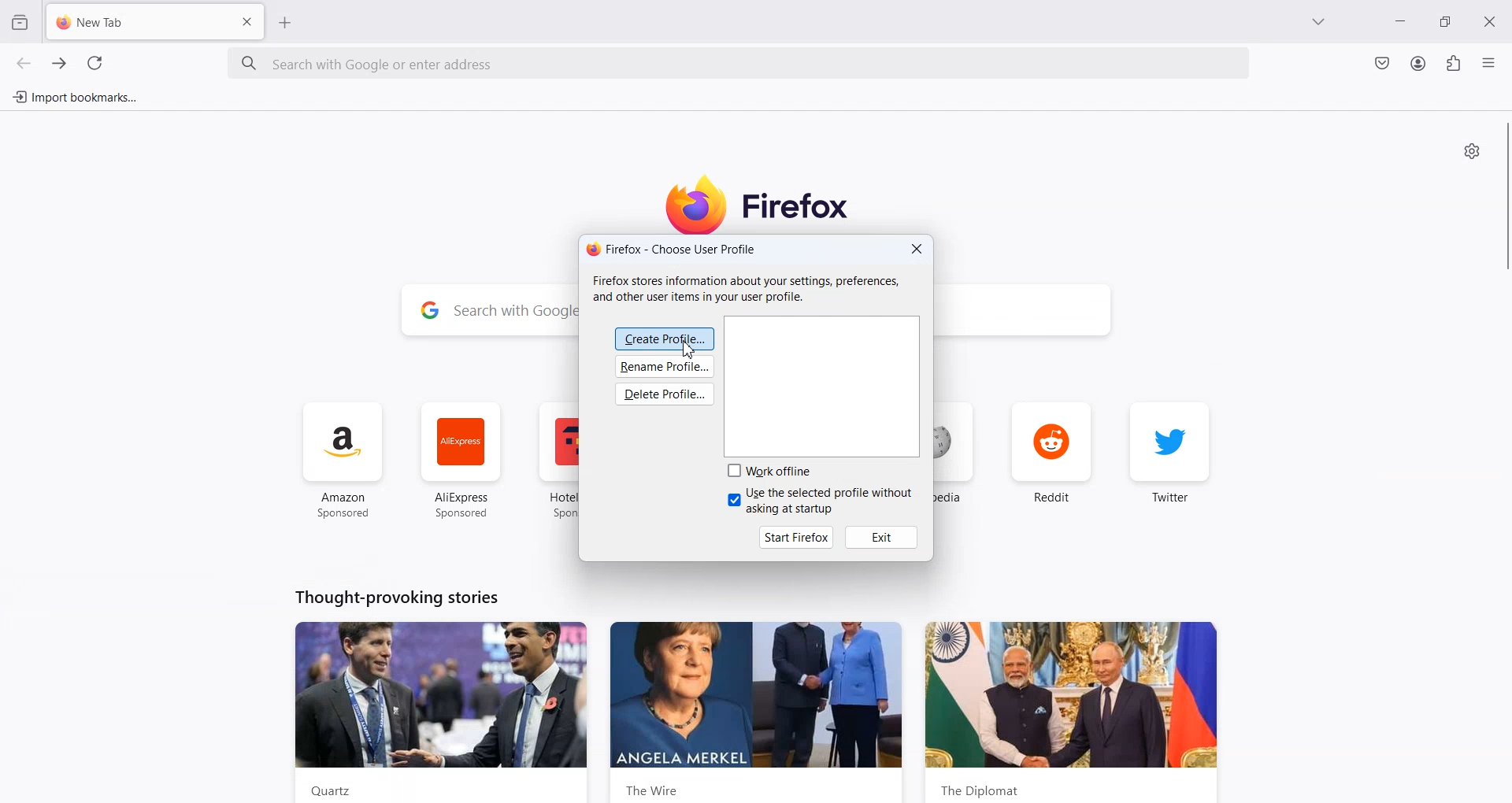 This screenshot has width=1512, height=803. Describe the element at coordinates (821, 501) in the screenshot. I see `Use the selected profile without asking a startup` at that location.